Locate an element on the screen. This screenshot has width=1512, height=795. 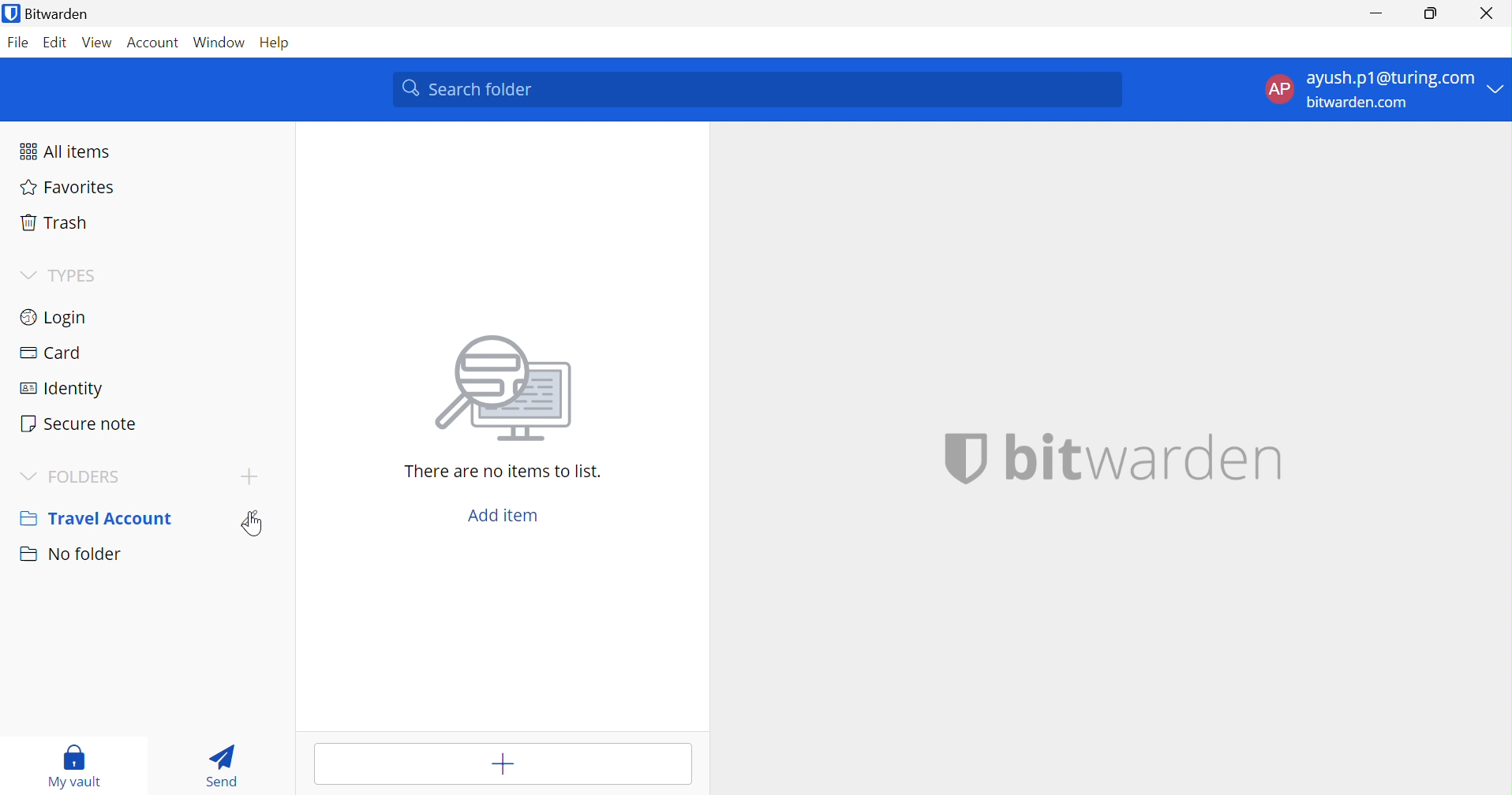
Minimize is located at coordinates (1374, 15).